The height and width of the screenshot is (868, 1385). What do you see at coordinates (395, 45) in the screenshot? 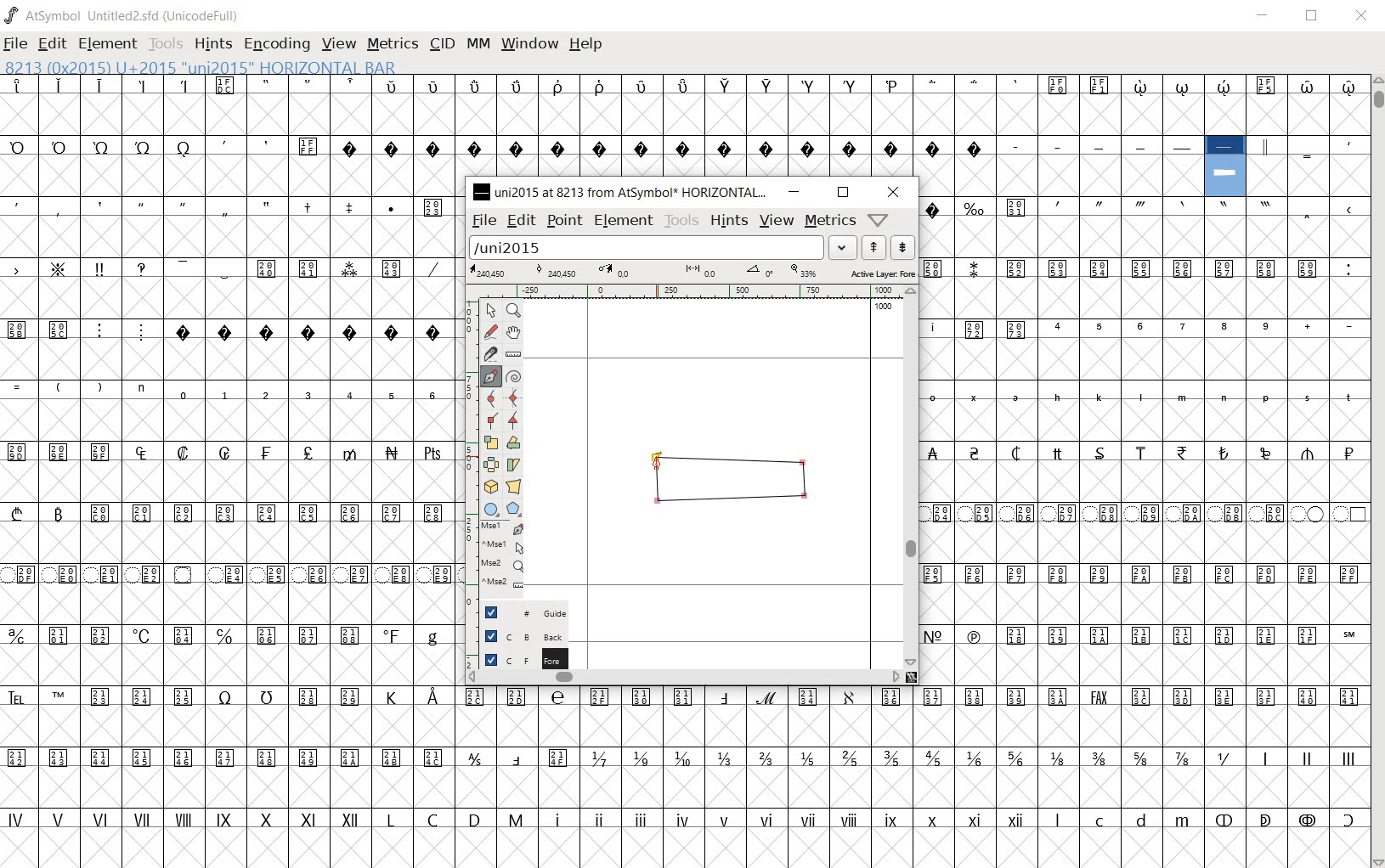
I see `METRICS` at bounding box center [395, 45].